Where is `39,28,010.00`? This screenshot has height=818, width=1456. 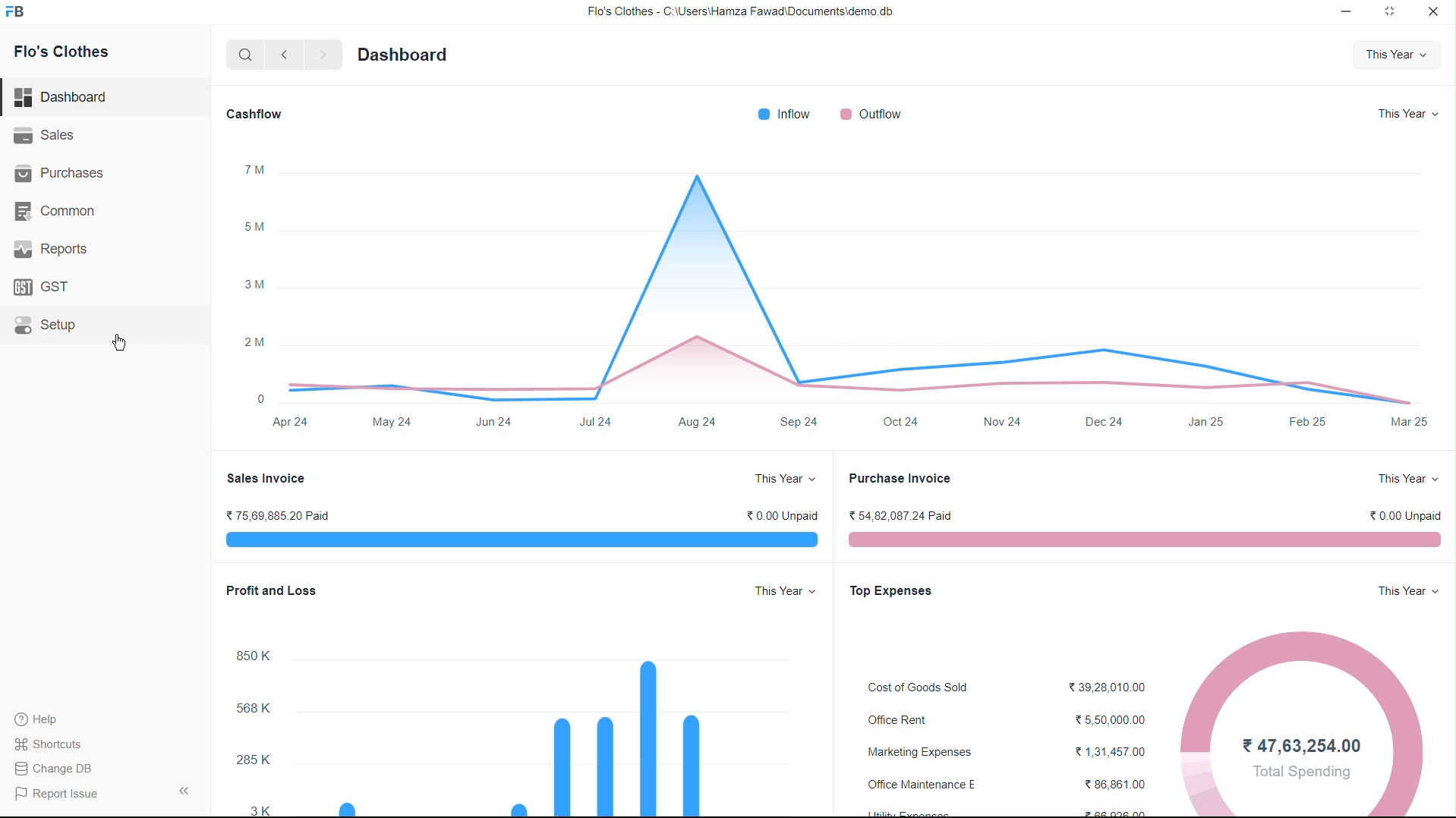
39,28,010.00 is located at coordinates (1102, 687).